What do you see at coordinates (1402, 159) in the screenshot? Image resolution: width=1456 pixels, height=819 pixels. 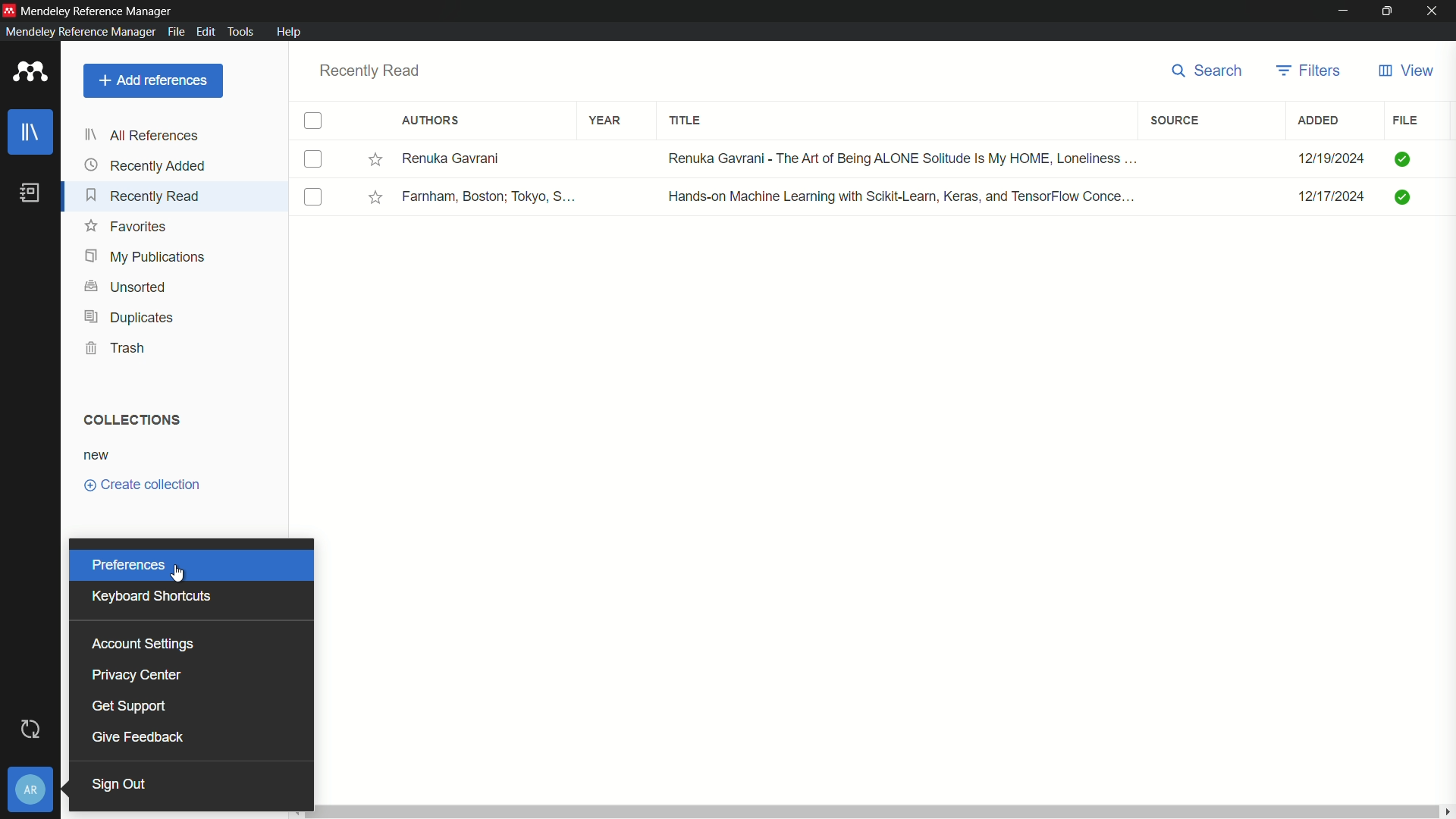 I see `Checked` at bounding box center [1402, 159].